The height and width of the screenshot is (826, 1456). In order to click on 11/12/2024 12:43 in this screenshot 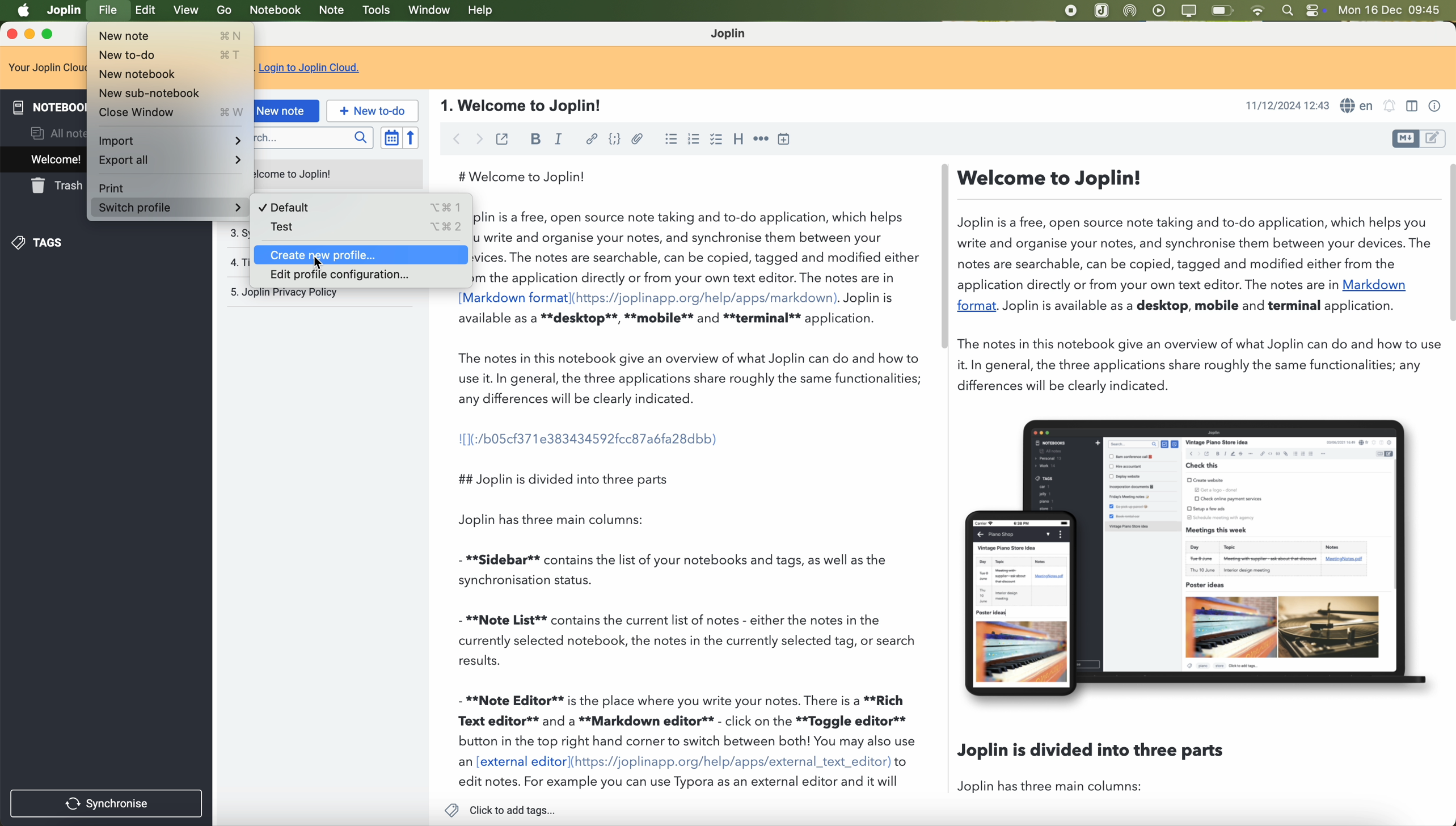, I will do `click(1286, 106)`.